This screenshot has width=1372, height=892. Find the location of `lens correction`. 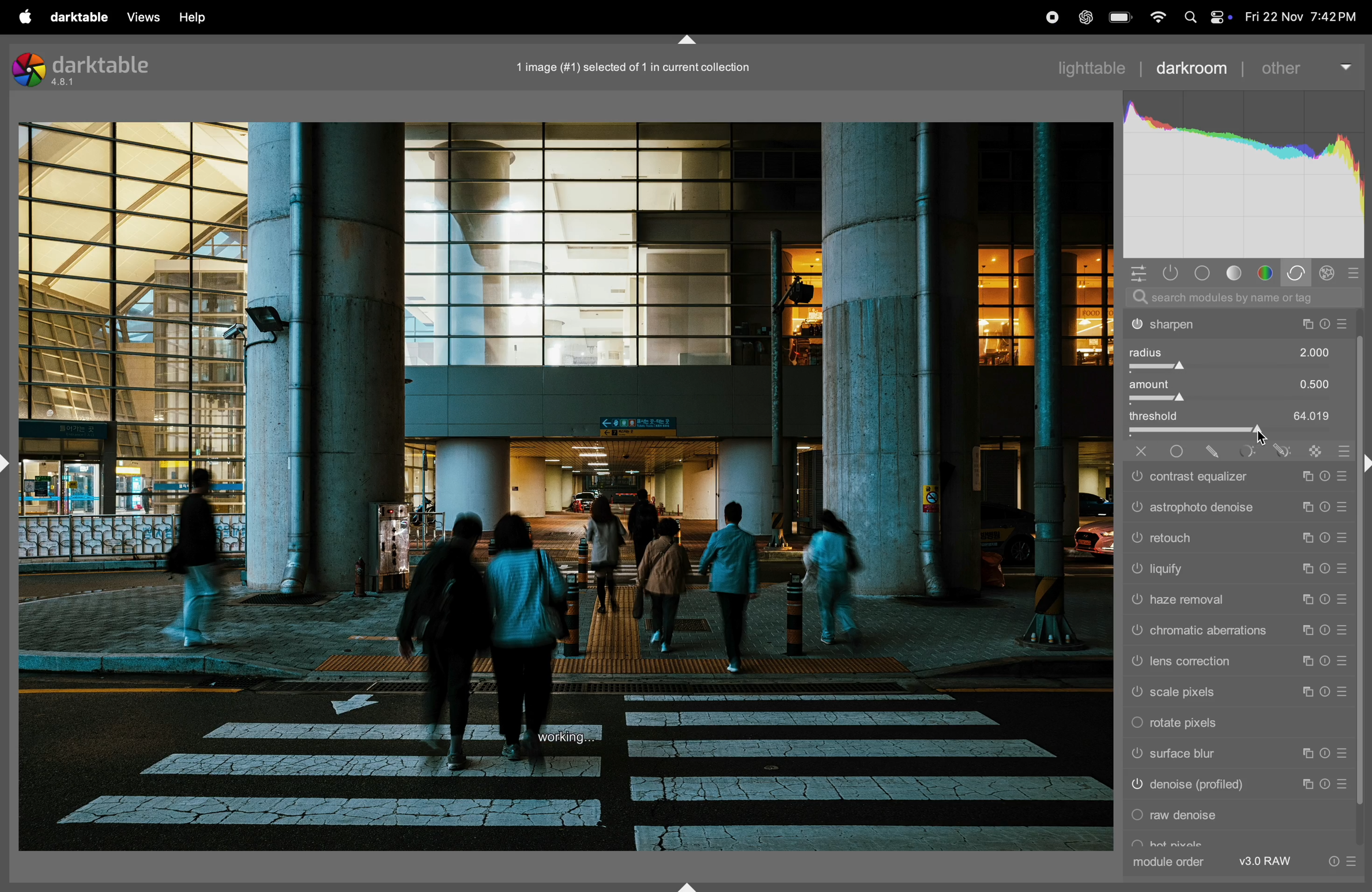

lens correction is located at coordinates (1237, 662).